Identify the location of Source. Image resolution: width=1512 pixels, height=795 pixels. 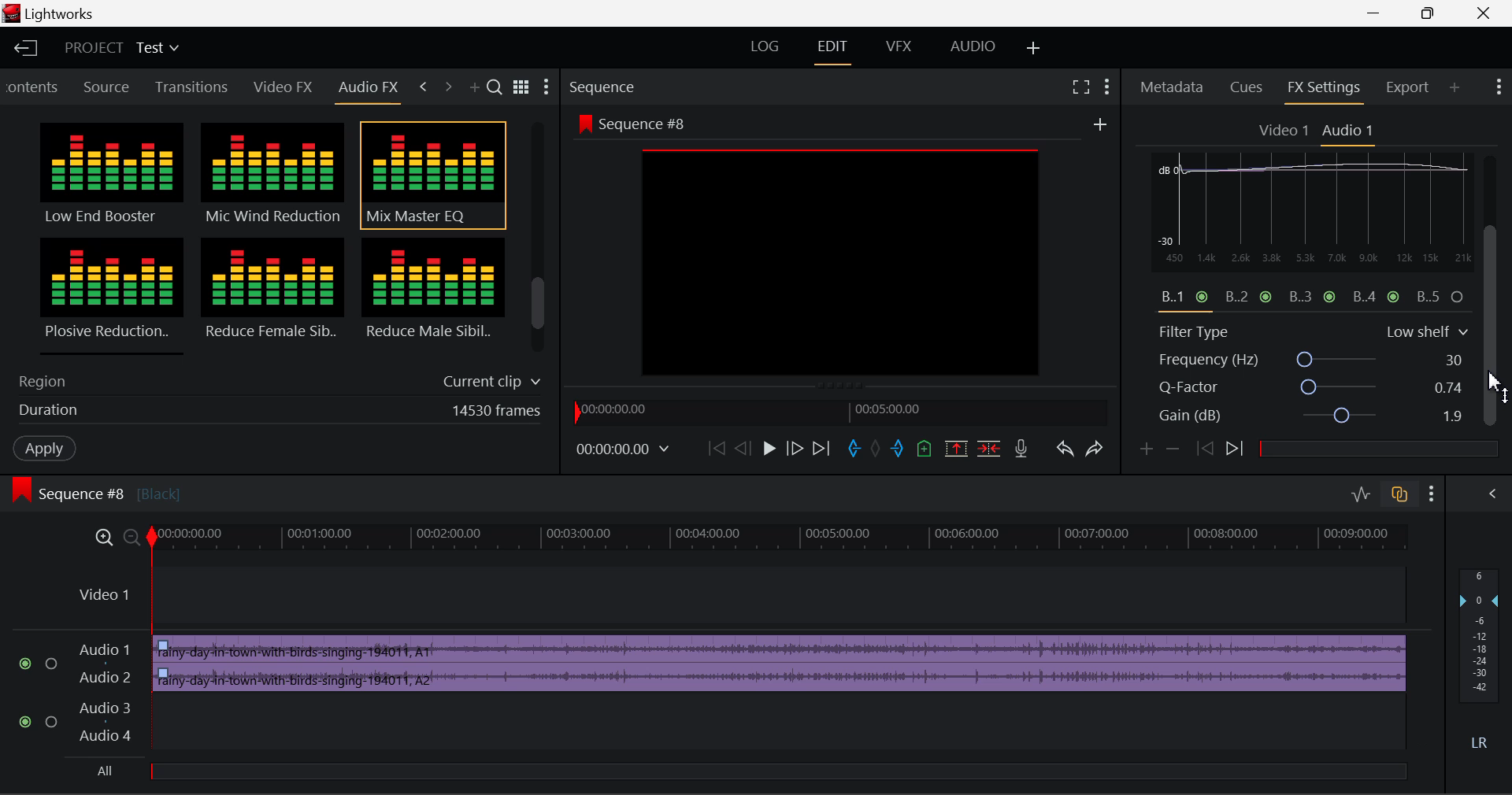
(109, 87).